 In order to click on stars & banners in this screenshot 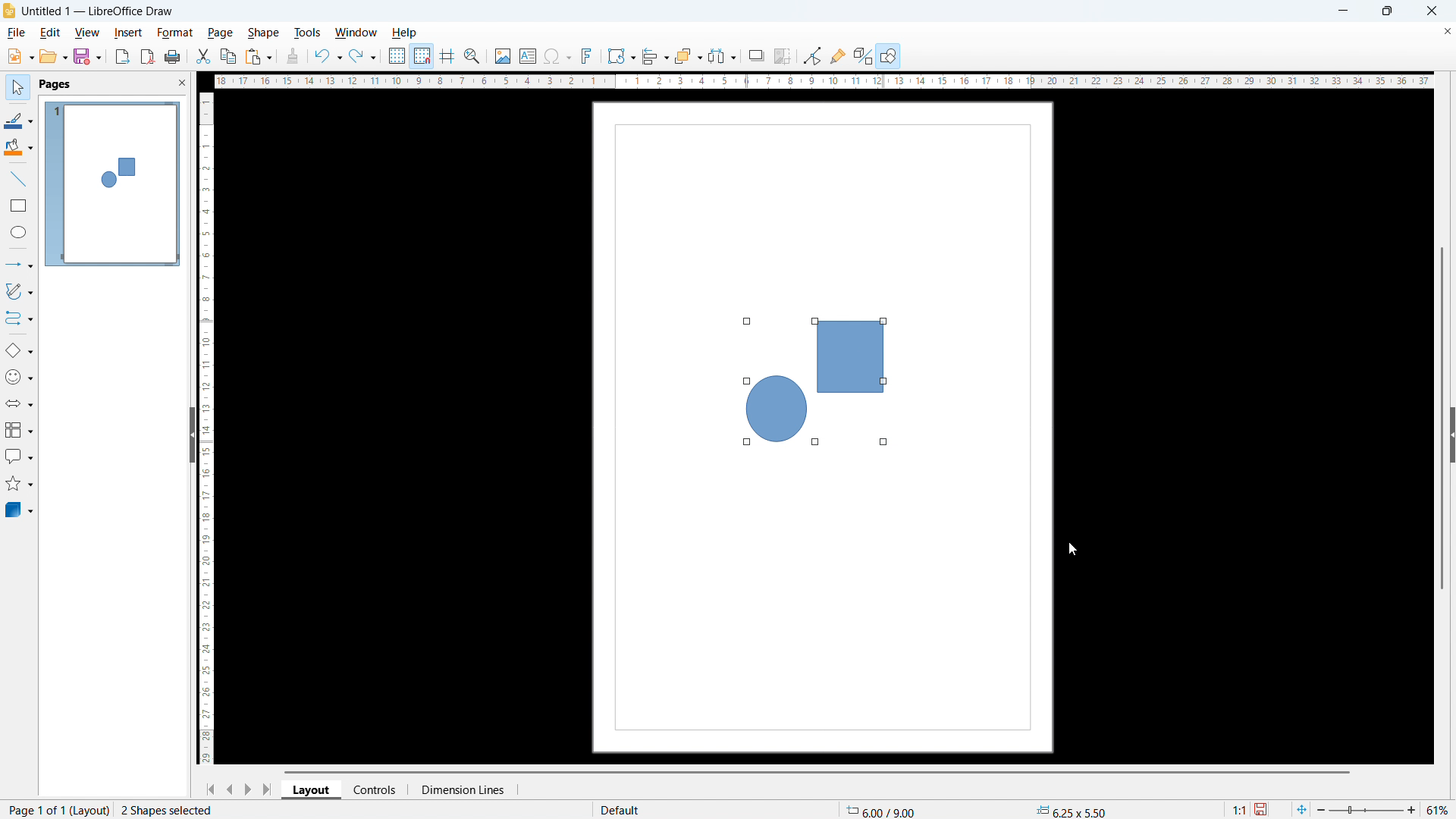, I will do `click(20, 485)`.